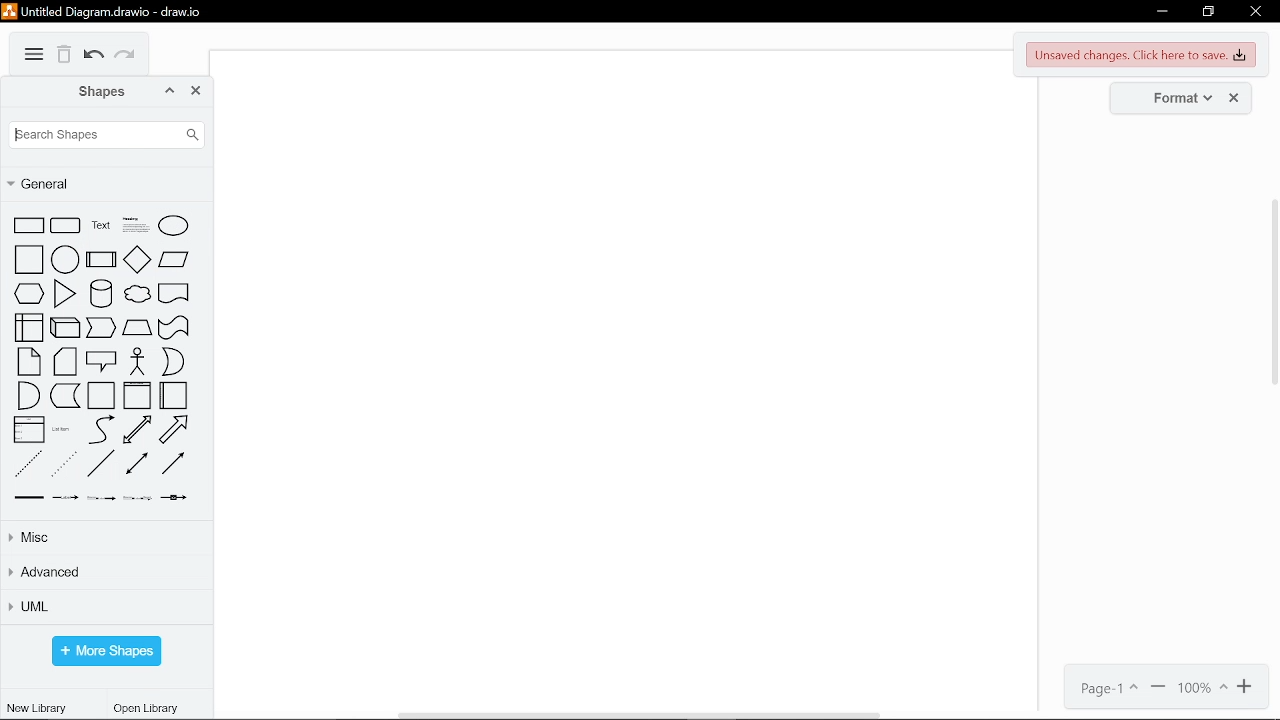  What do you see at coordinates (30, 431) in the screenshot?
I see `list` at bounding box center [30, 431].